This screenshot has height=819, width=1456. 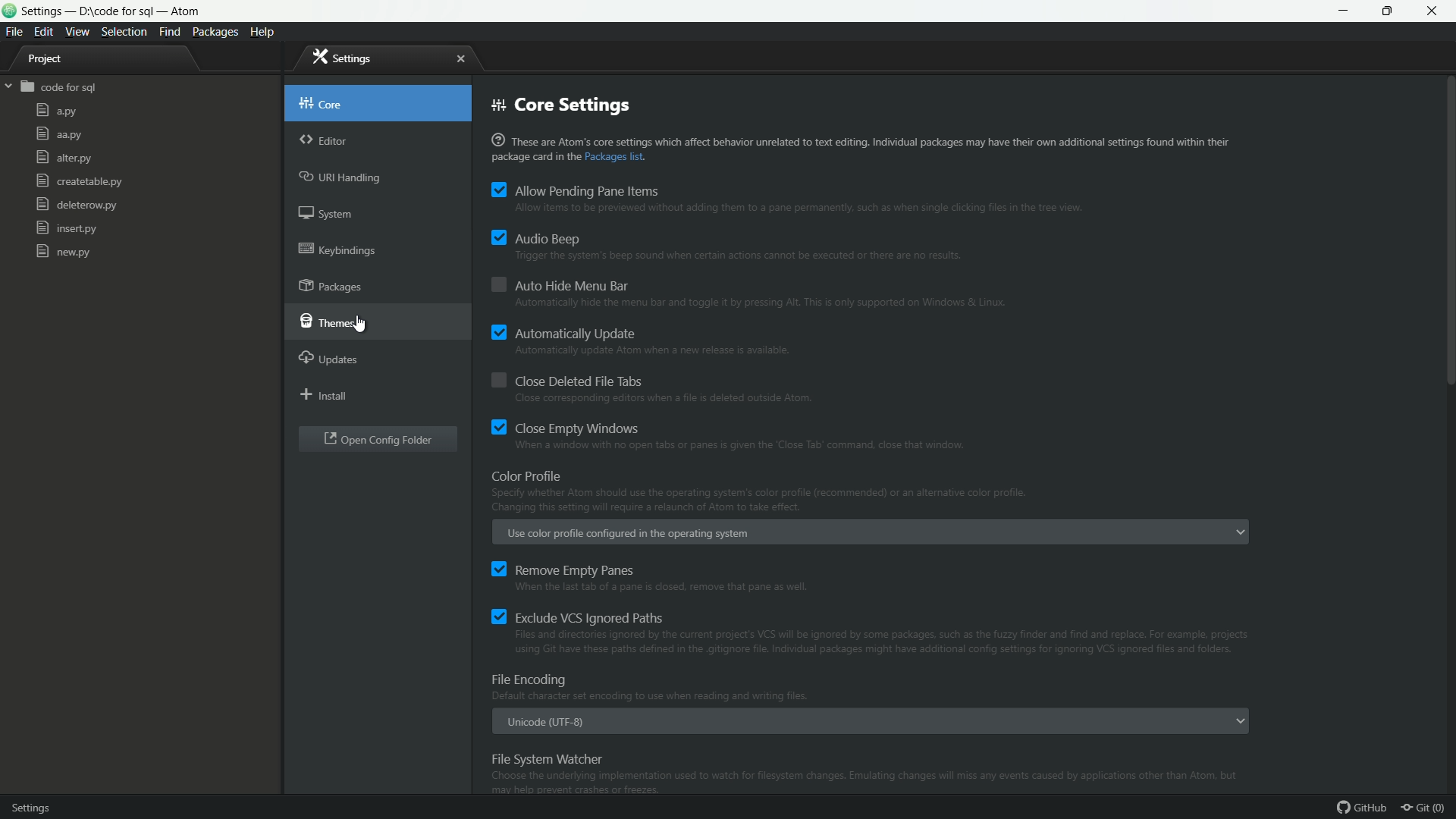 I want to click on full screen, so click(x=1392, y=11).